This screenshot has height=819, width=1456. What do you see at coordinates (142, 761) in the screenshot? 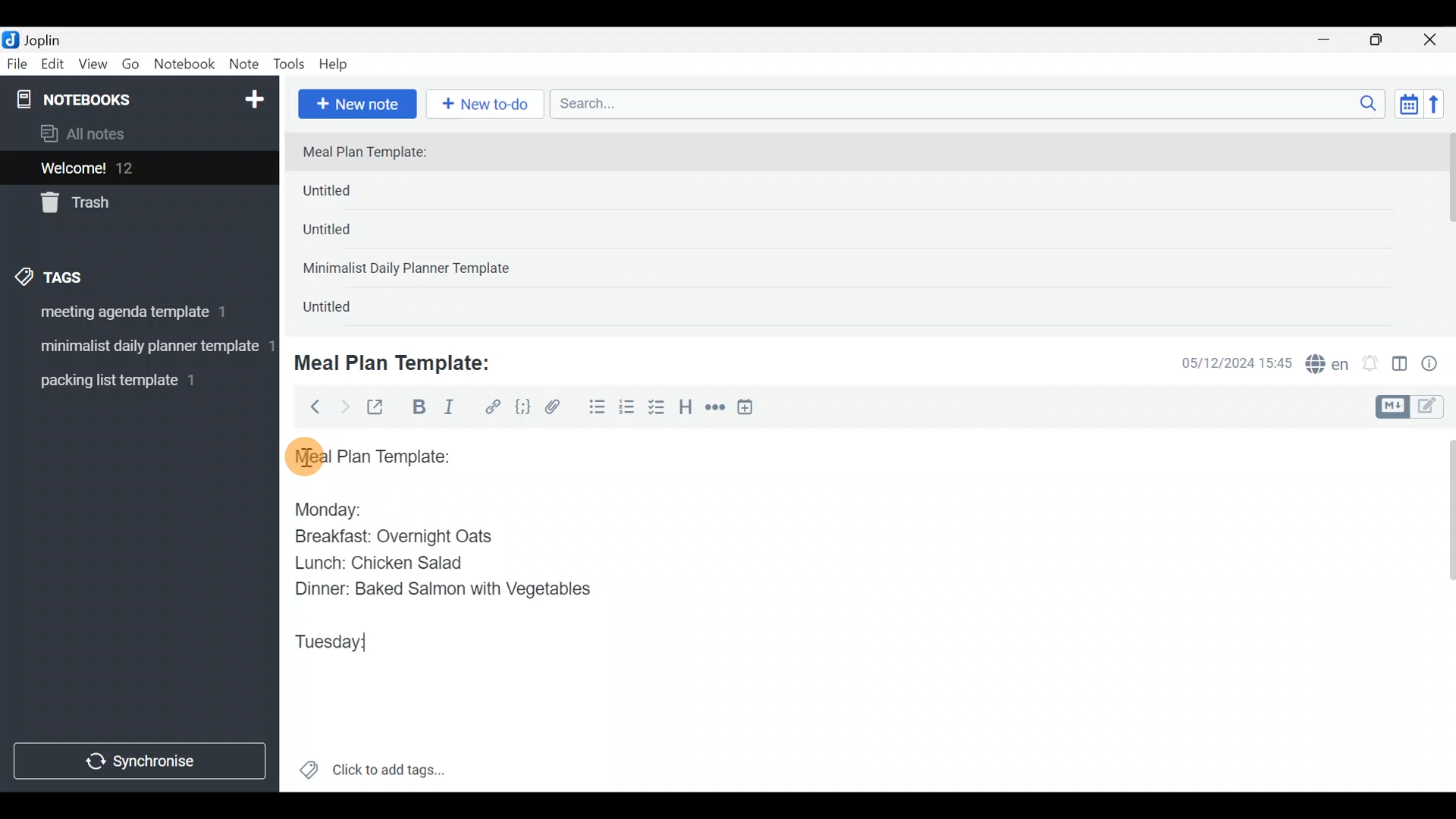
I see `Synchronize` at bounding box center [142, 761].